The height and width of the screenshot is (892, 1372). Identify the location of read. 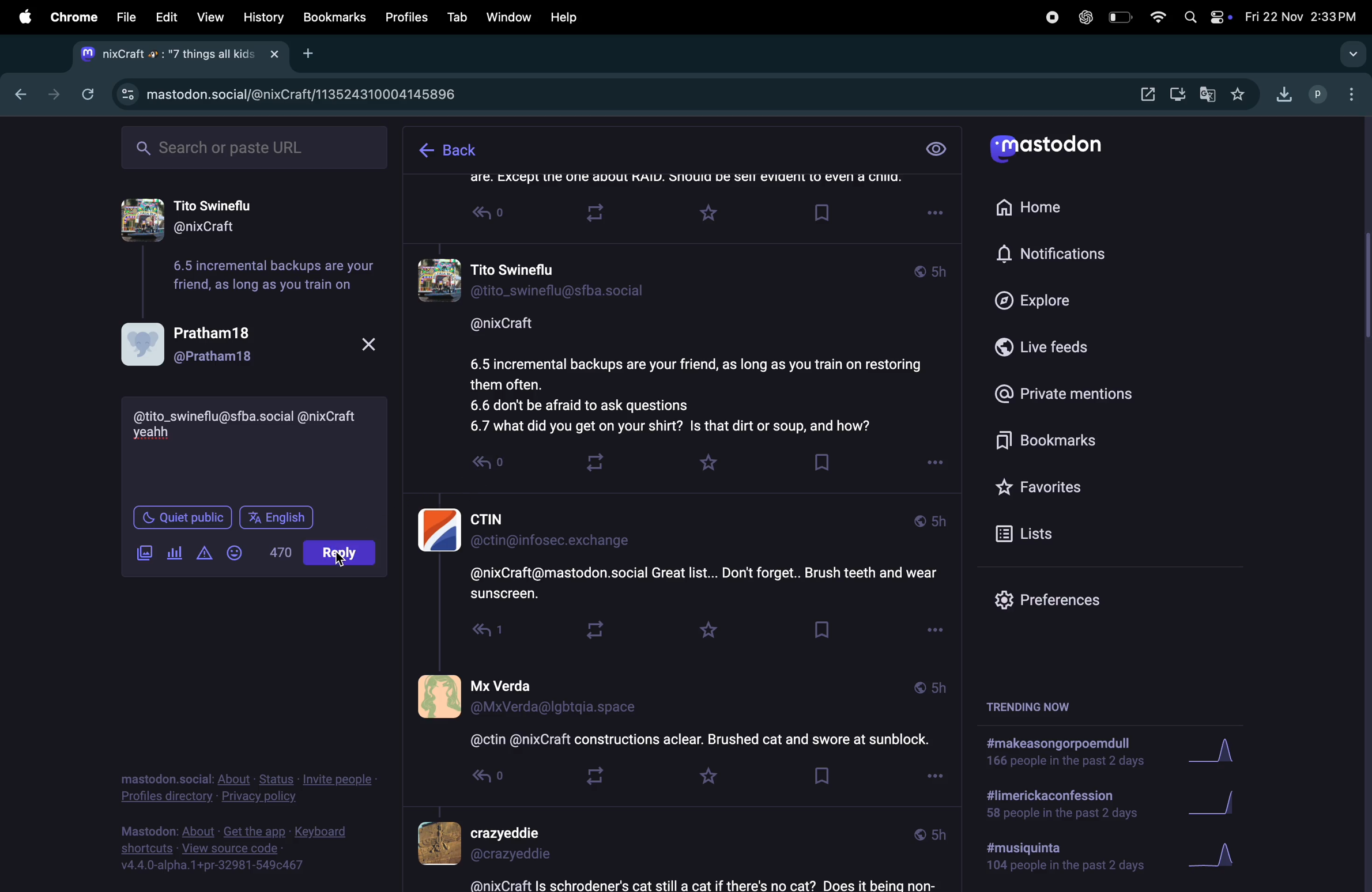
(496, 471).